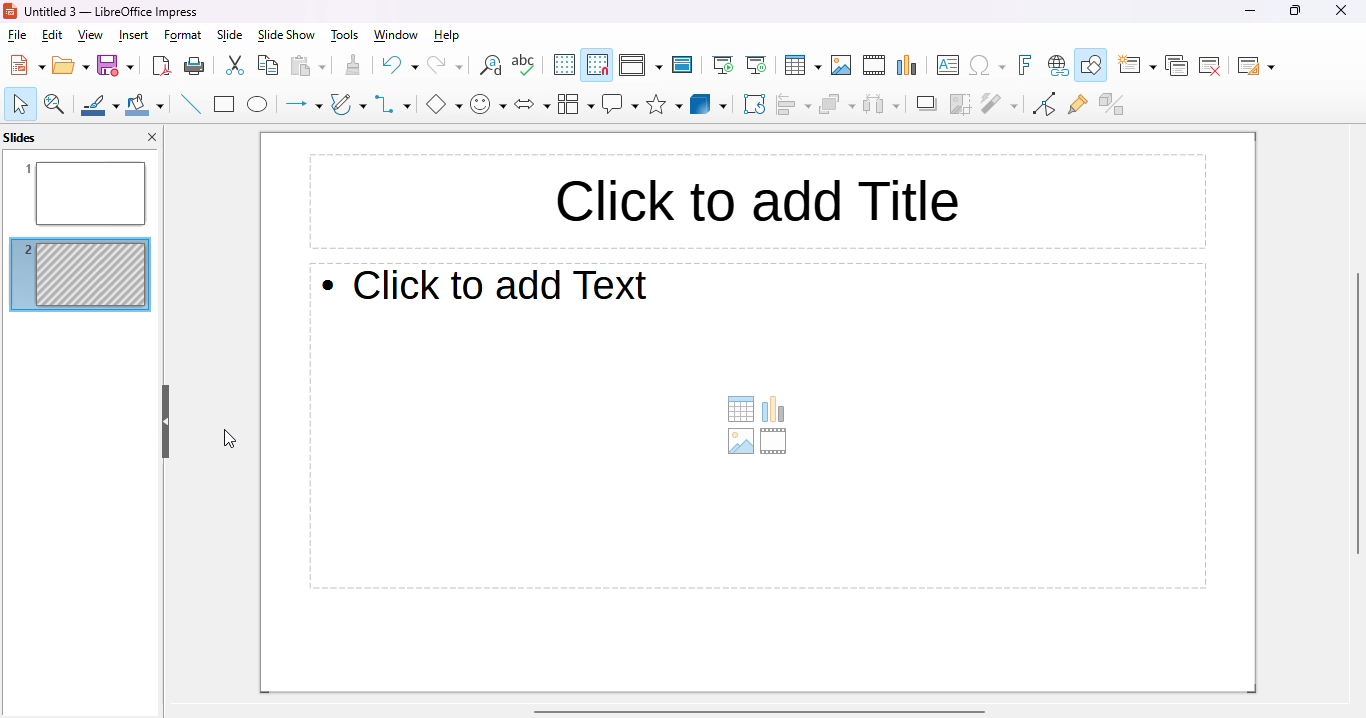 The image size is (1366, 718). What do you see at coordinates (621, 104) in the screenshot?
I see `callout shapes` at bounding box center [621, 104].